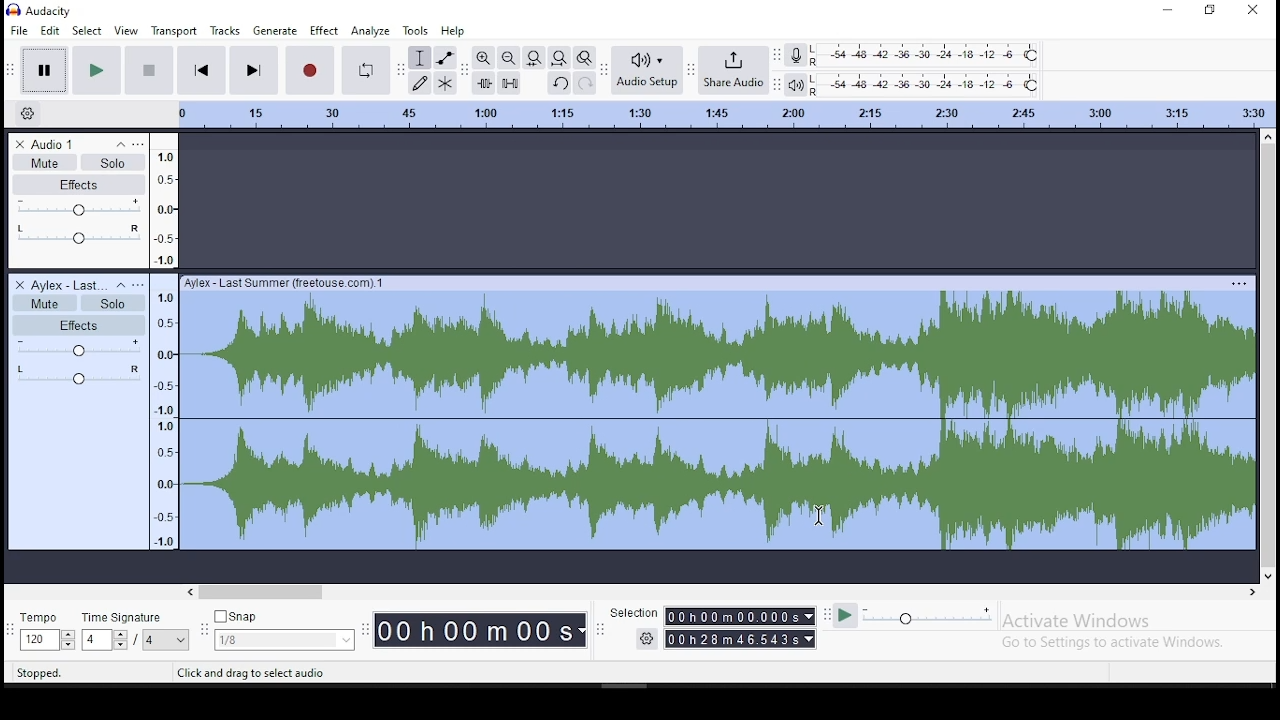 Image resolution: width=1280 pixels, height=720 pixels. What do you see at coordinates (124, 285) in the screenshot?
I see `collapse` at bounding box center [124, 285].